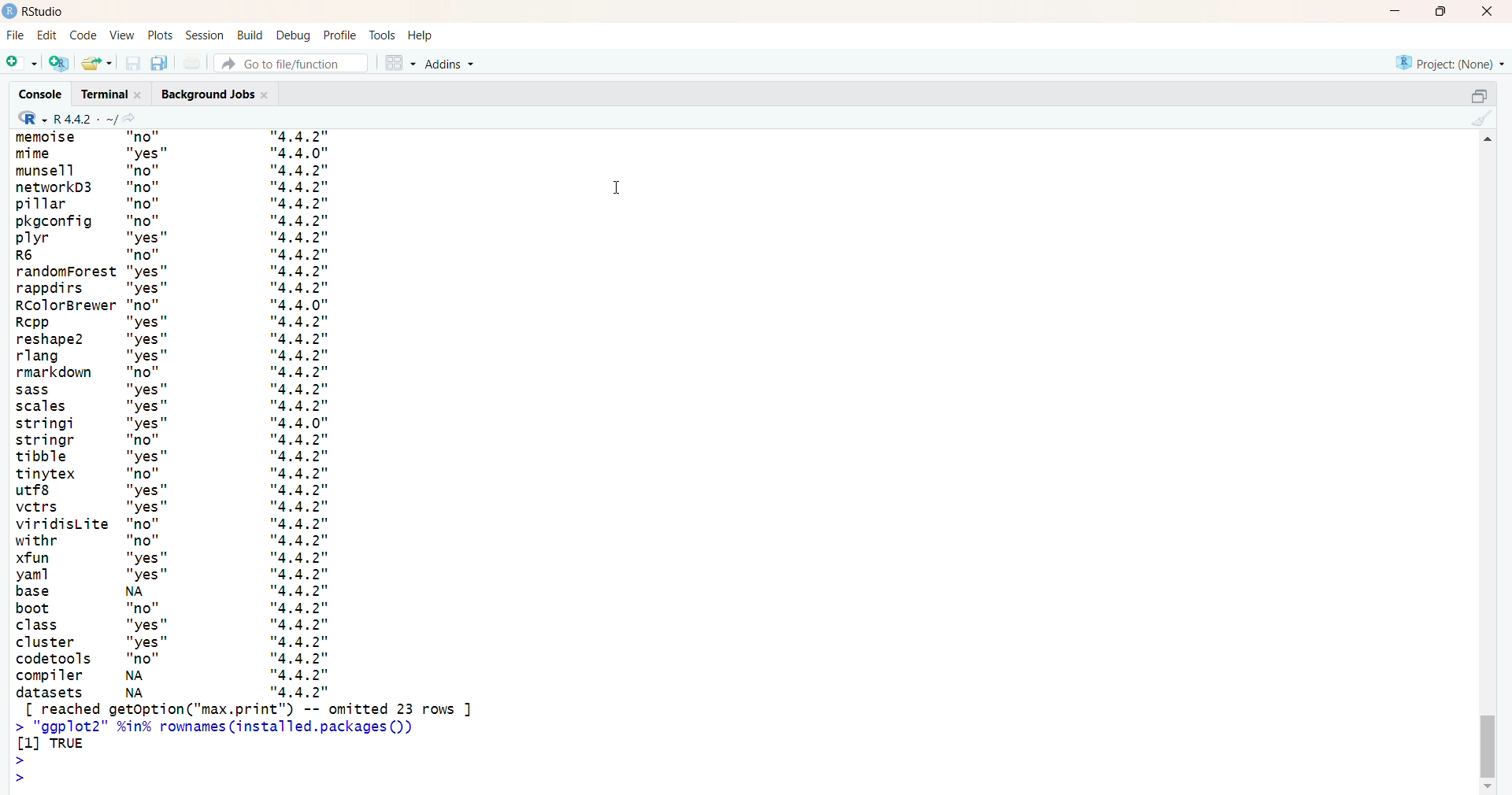 Image resolution: width=1512 pixels, height=795 pixels. I want to click on build, so click(251, 35).